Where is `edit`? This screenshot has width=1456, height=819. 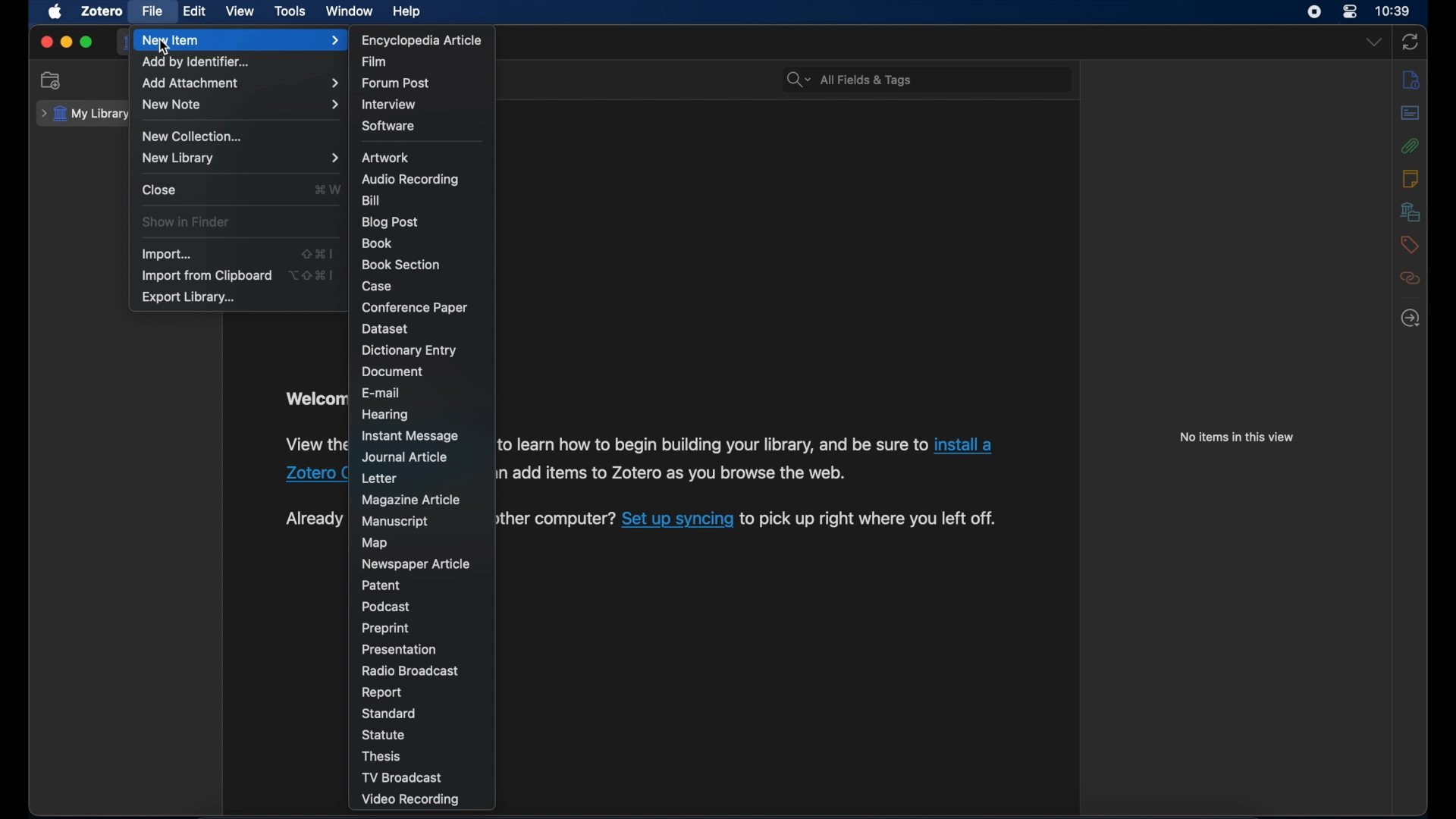
edit is located at coordinates (196, 11).